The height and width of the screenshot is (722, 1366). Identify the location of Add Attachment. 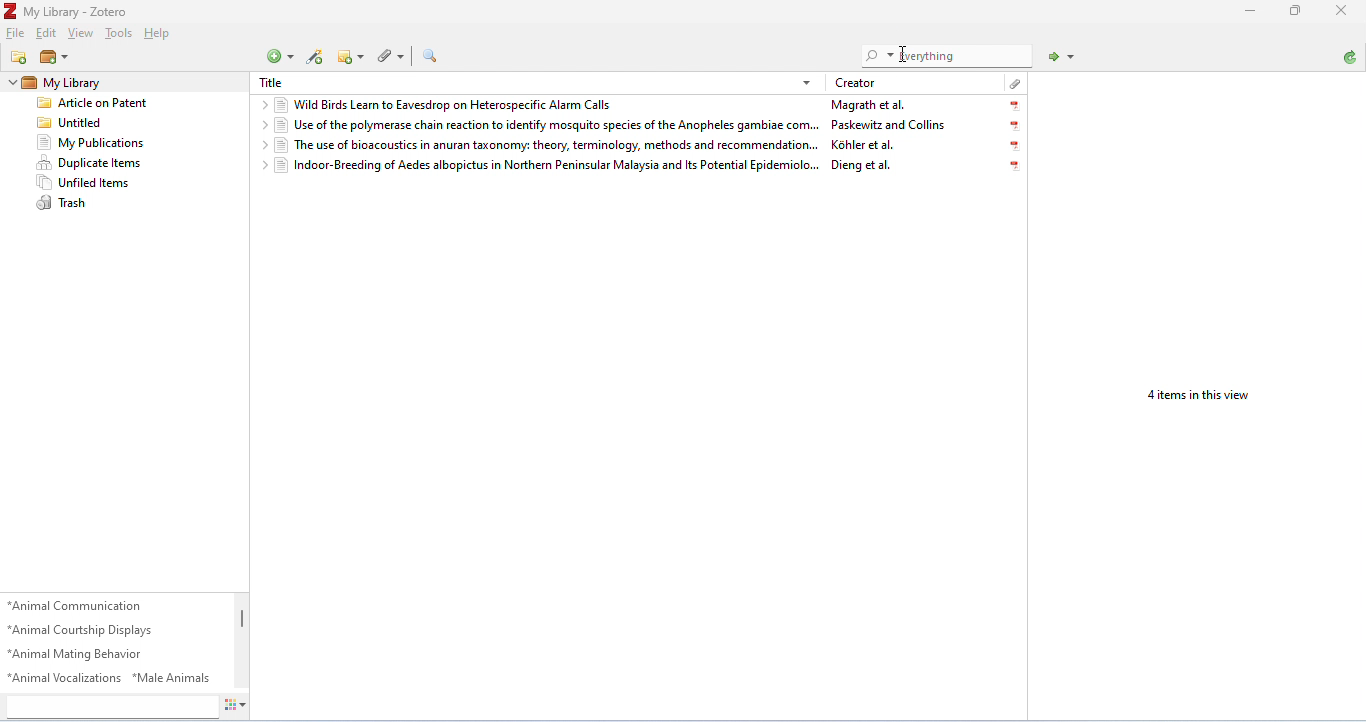
(391, 58).